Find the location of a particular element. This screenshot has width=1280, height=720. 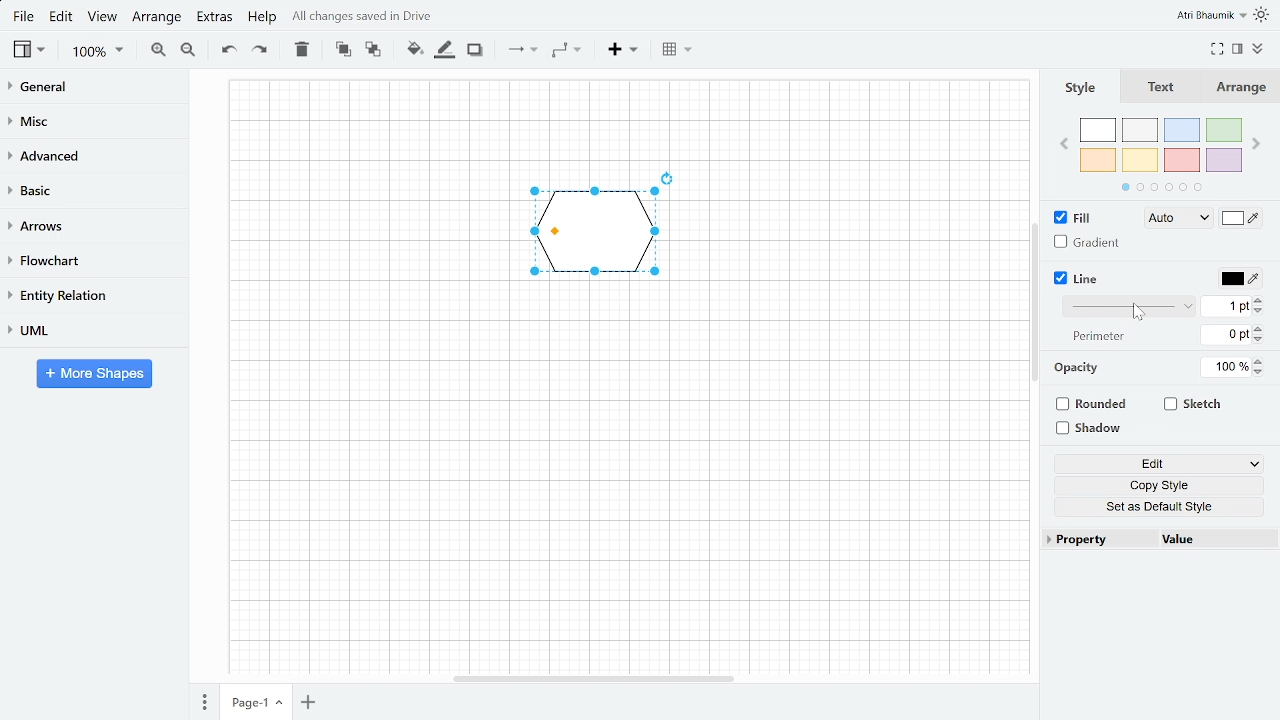

Value is located at coordinates (1219, 539).